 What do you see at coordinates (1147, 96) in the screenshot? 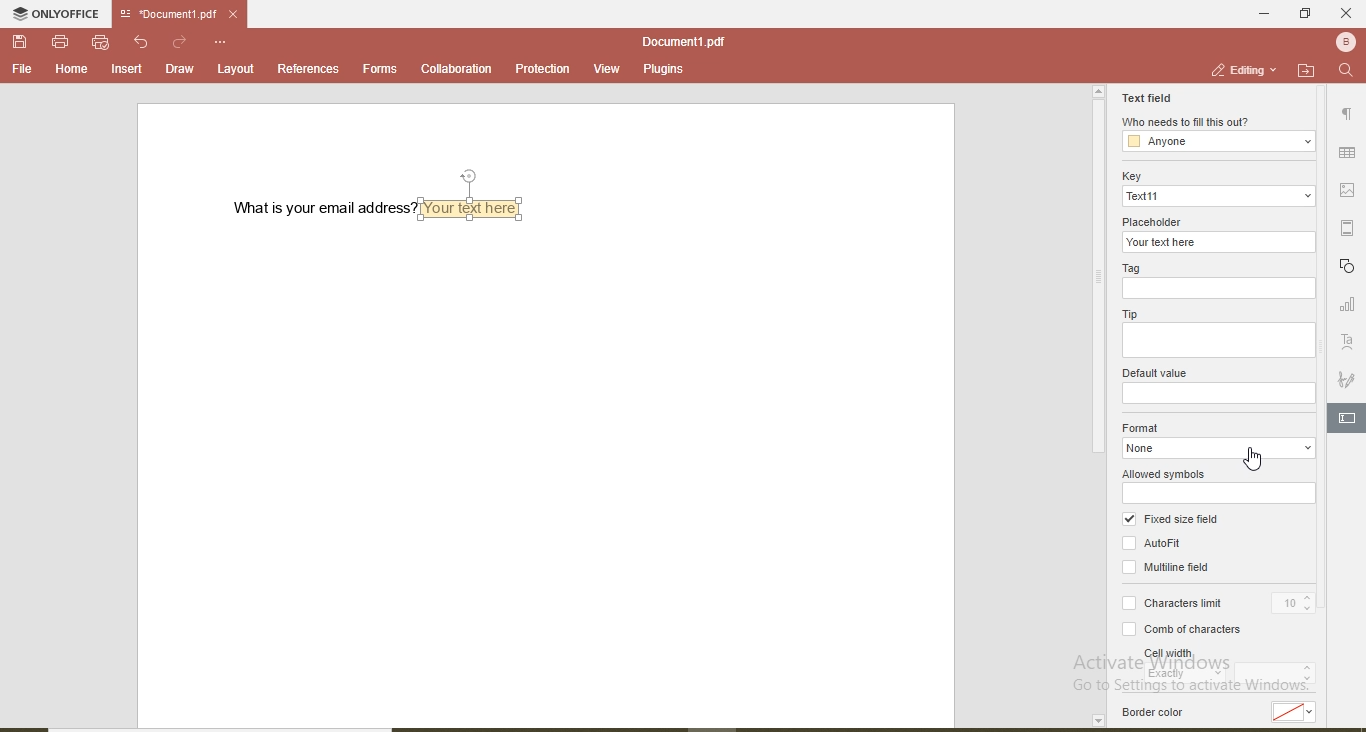
I see `text field ` at bounding box center [1147, 96].